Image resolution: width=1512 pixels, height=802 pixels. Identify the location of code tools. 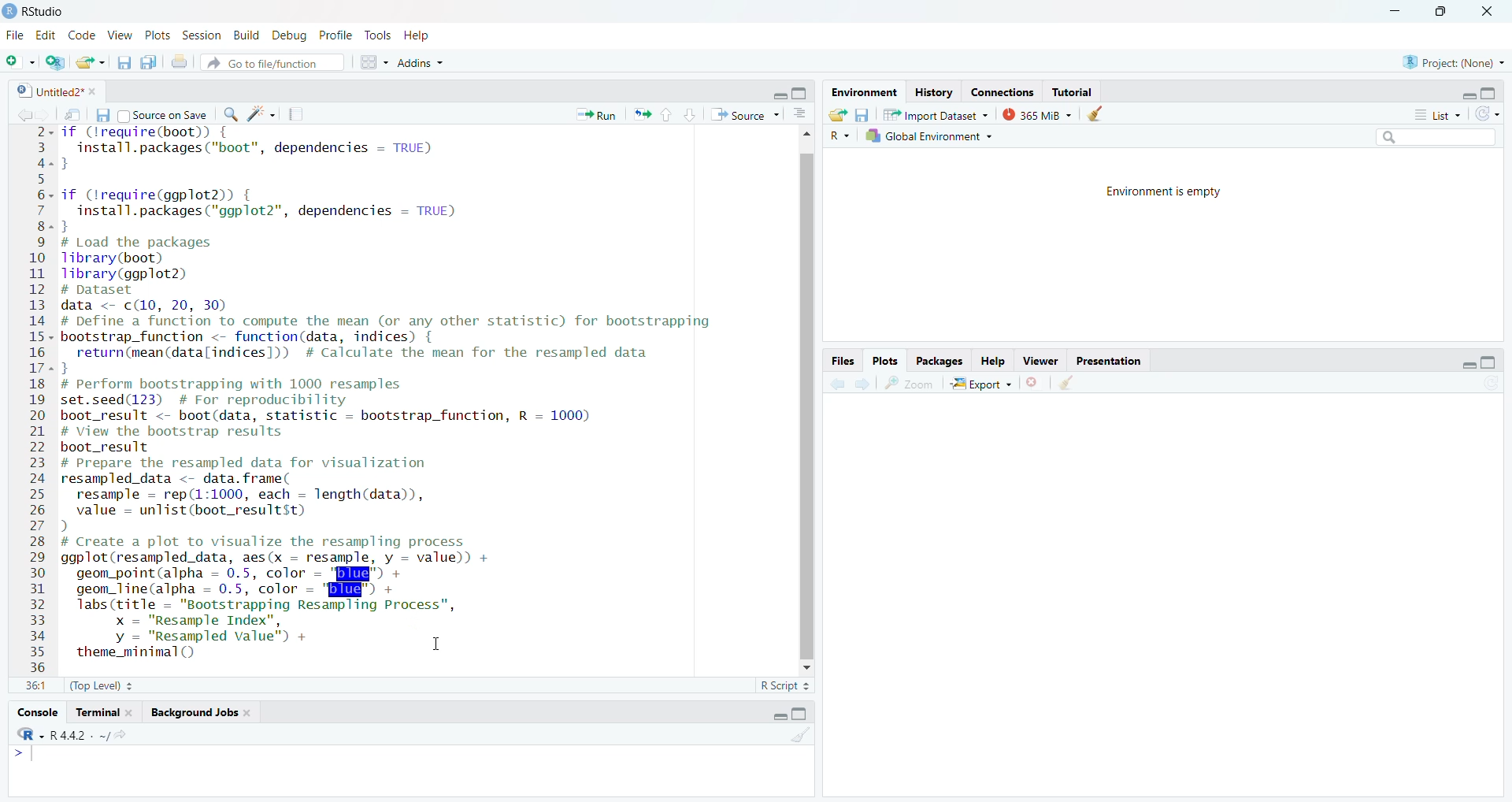
(262, 113).